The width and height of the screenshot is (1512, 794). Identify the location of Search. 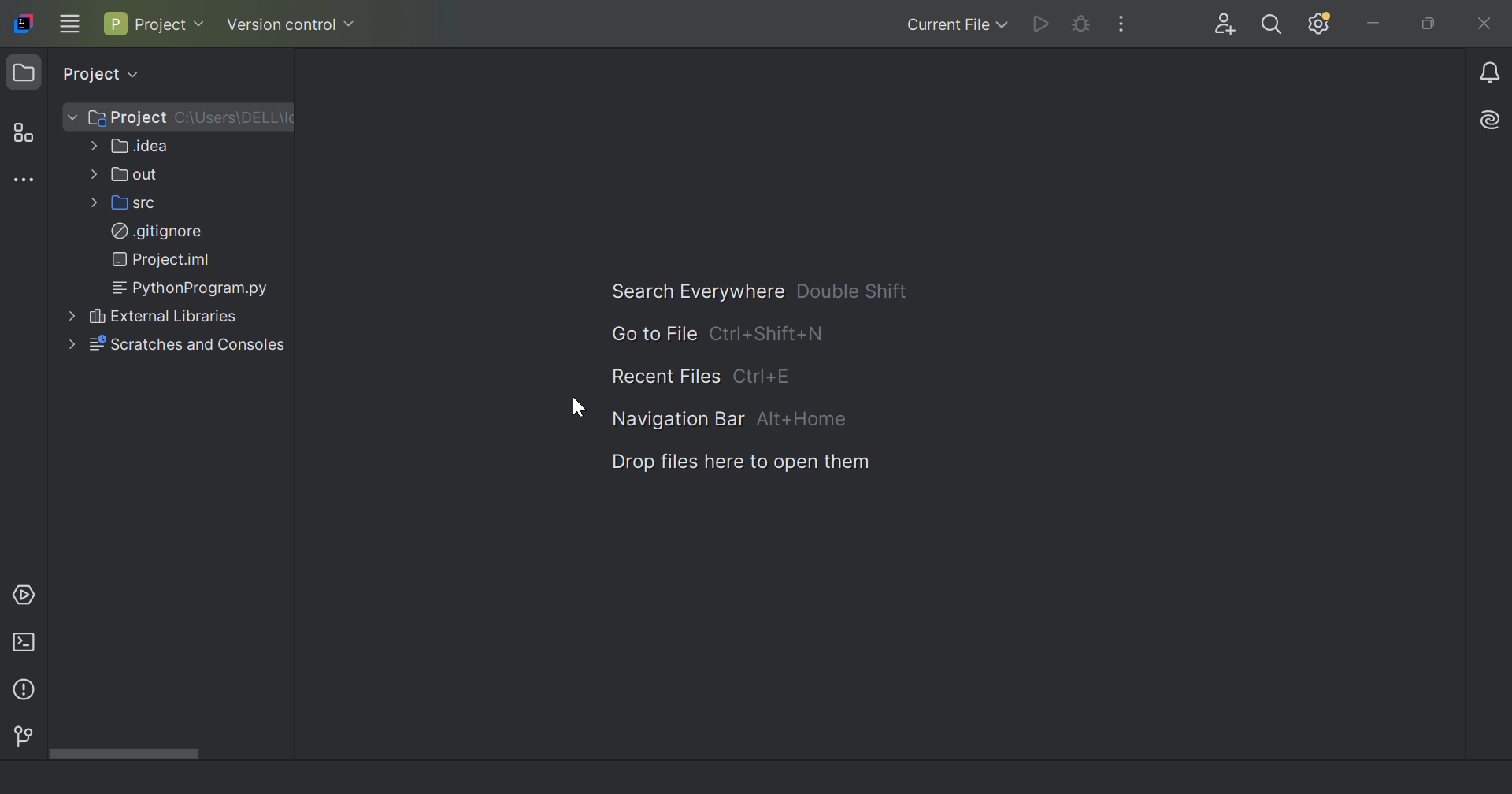
(1273, 25).